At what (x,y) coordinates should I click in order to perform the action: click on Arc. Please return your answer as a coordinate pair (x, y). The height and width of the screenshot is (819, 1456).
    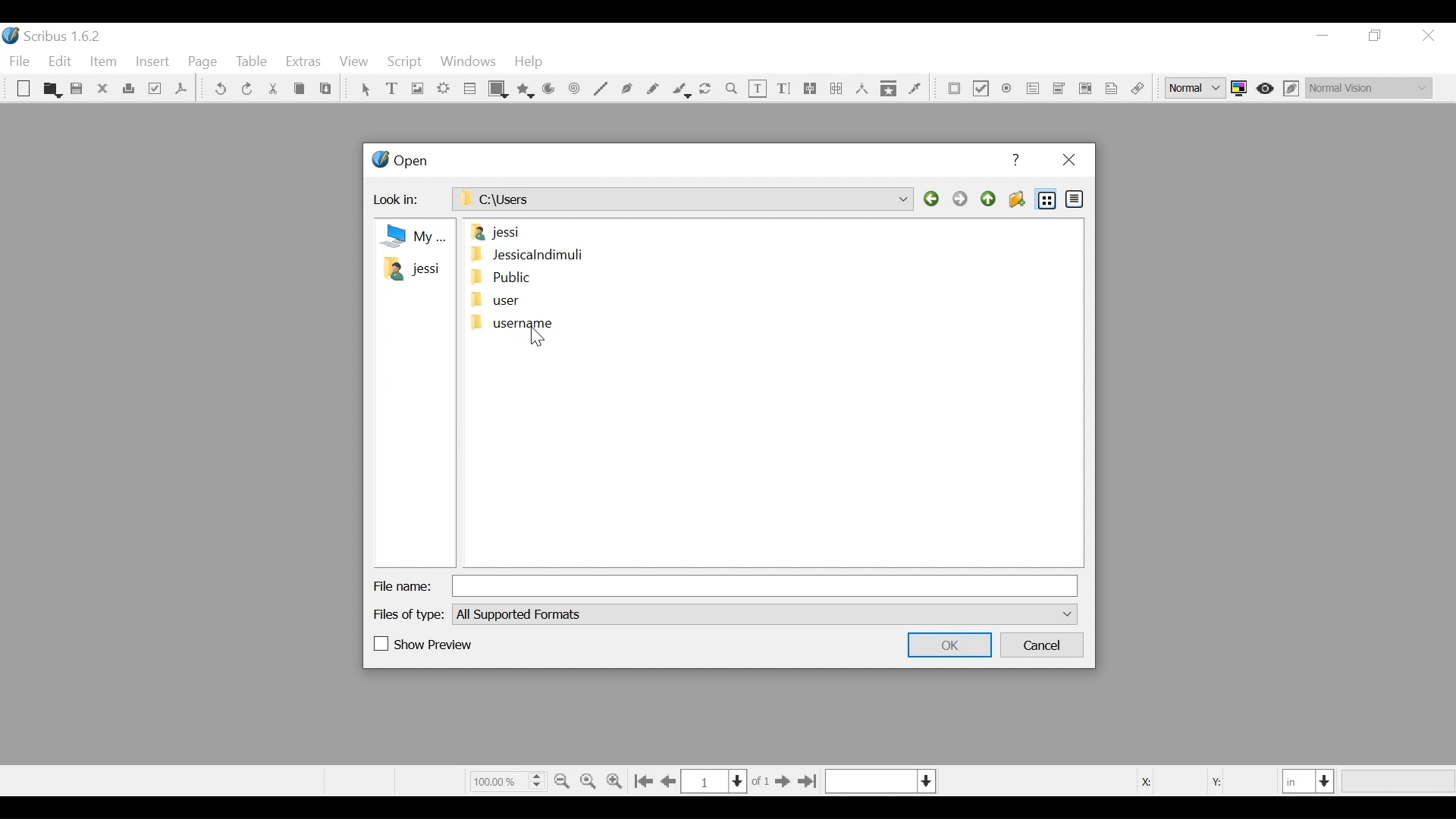
    Looking at the image, I should click on (549, 90).